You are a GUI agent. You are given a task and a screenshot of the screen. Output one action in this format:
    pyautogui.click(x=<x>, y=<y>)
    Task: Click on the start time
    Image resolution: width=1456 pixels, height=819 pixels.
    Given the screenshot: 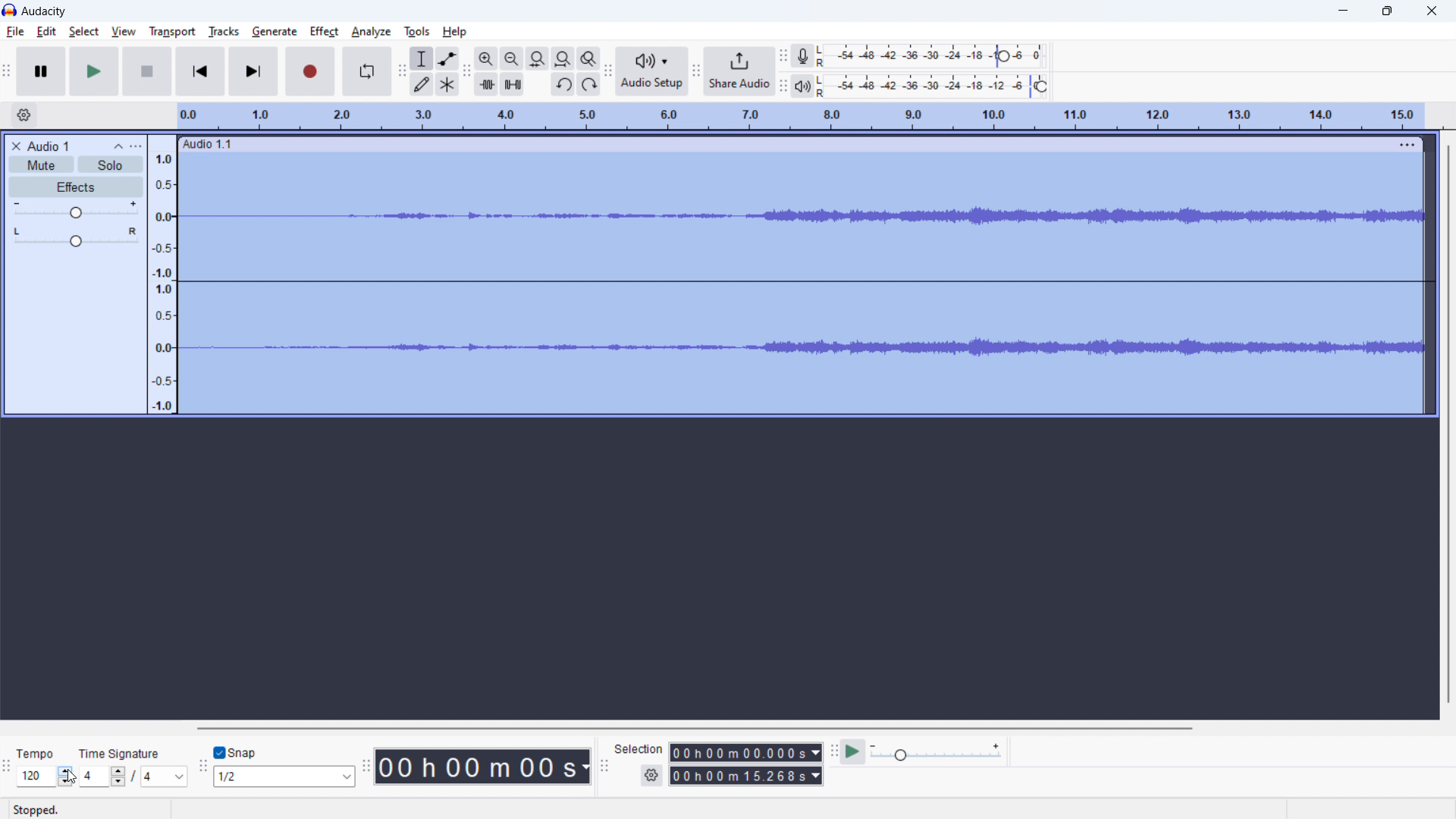 What is the action you would take?
    pyautogui.click(x=746, y=752)
    